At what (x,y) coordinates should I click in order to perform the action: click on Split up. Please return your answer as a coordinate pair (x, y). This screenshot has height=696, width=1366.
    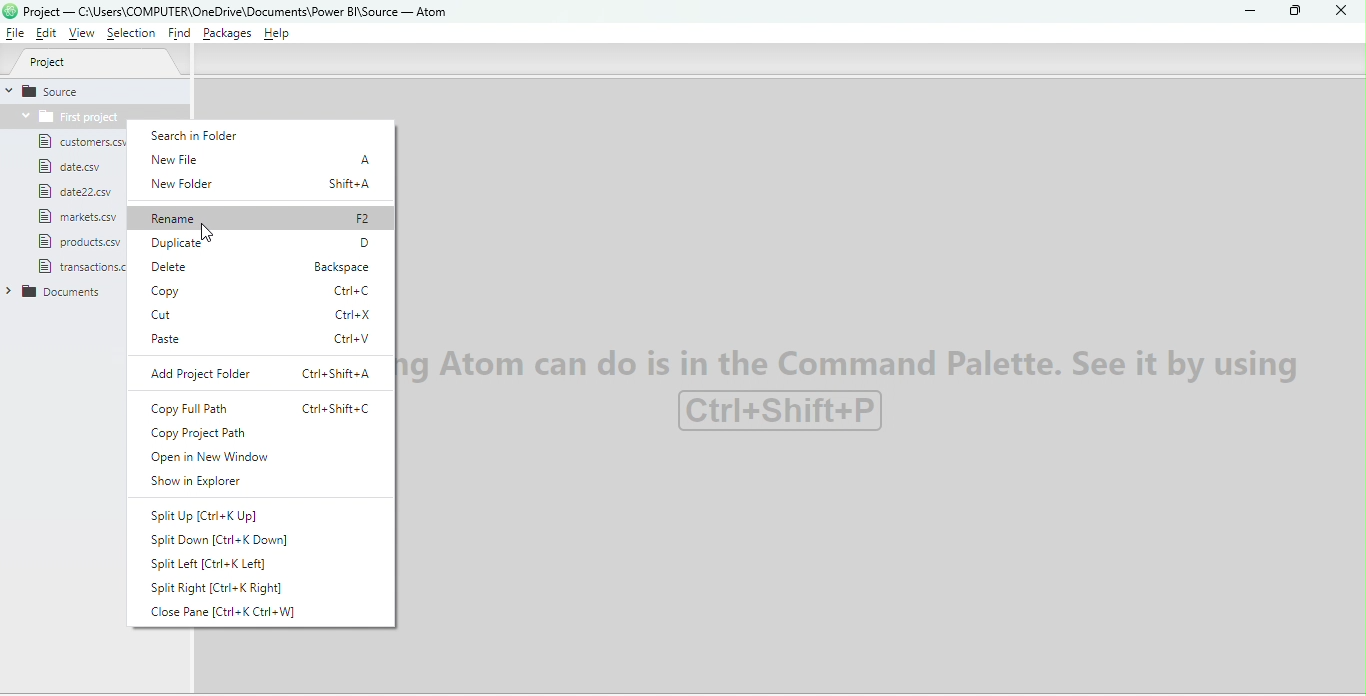
    Looking at the image, I should click on (212, 514).